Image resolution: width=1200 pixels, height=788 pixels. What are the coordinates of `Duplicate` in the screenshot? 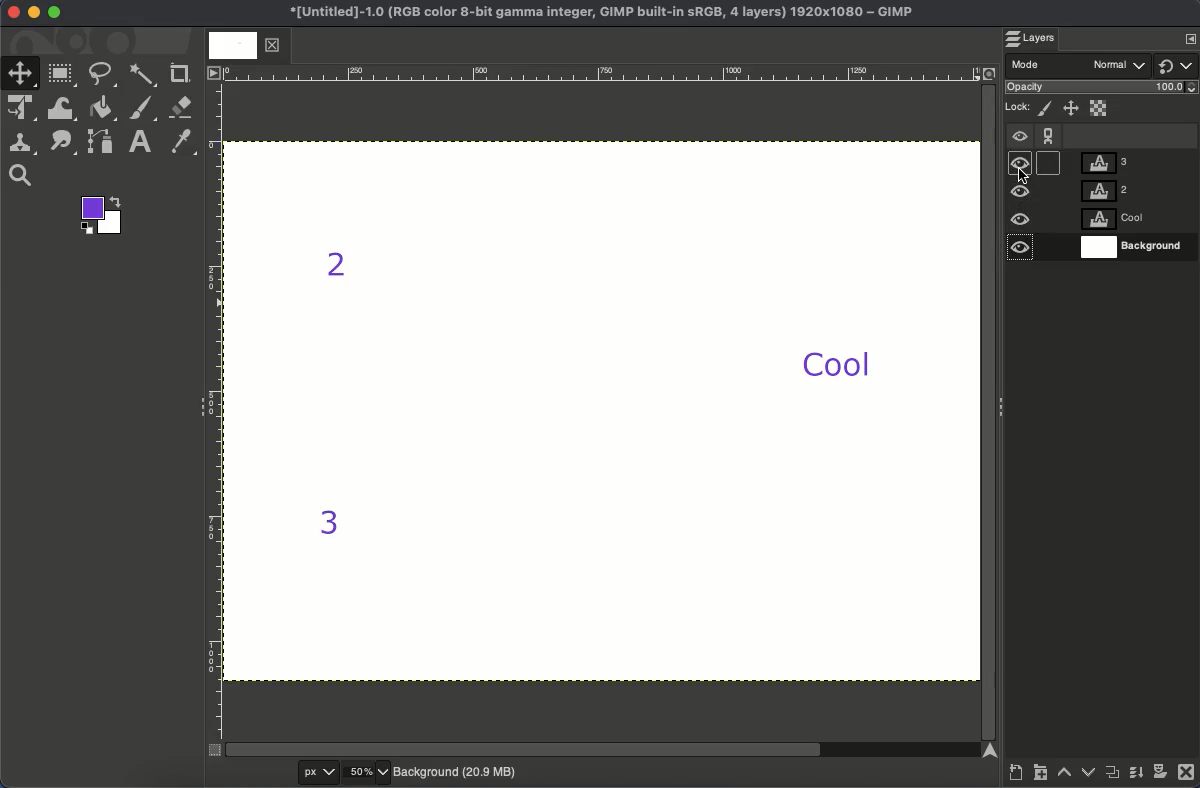 It's located at (1113, 776).